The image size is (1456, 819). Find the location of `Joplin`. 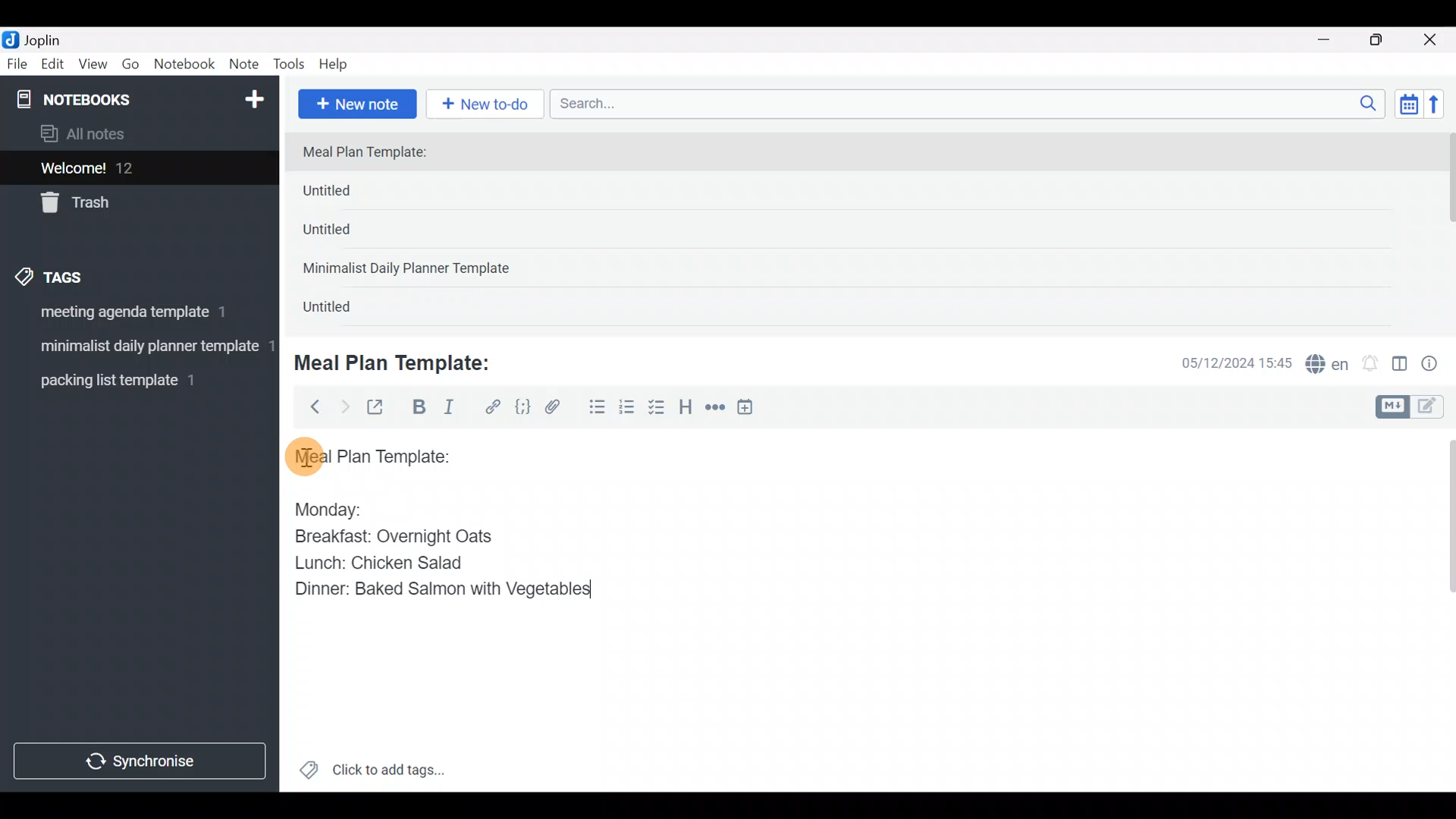

Joplin is located at coordinates (52, 38).